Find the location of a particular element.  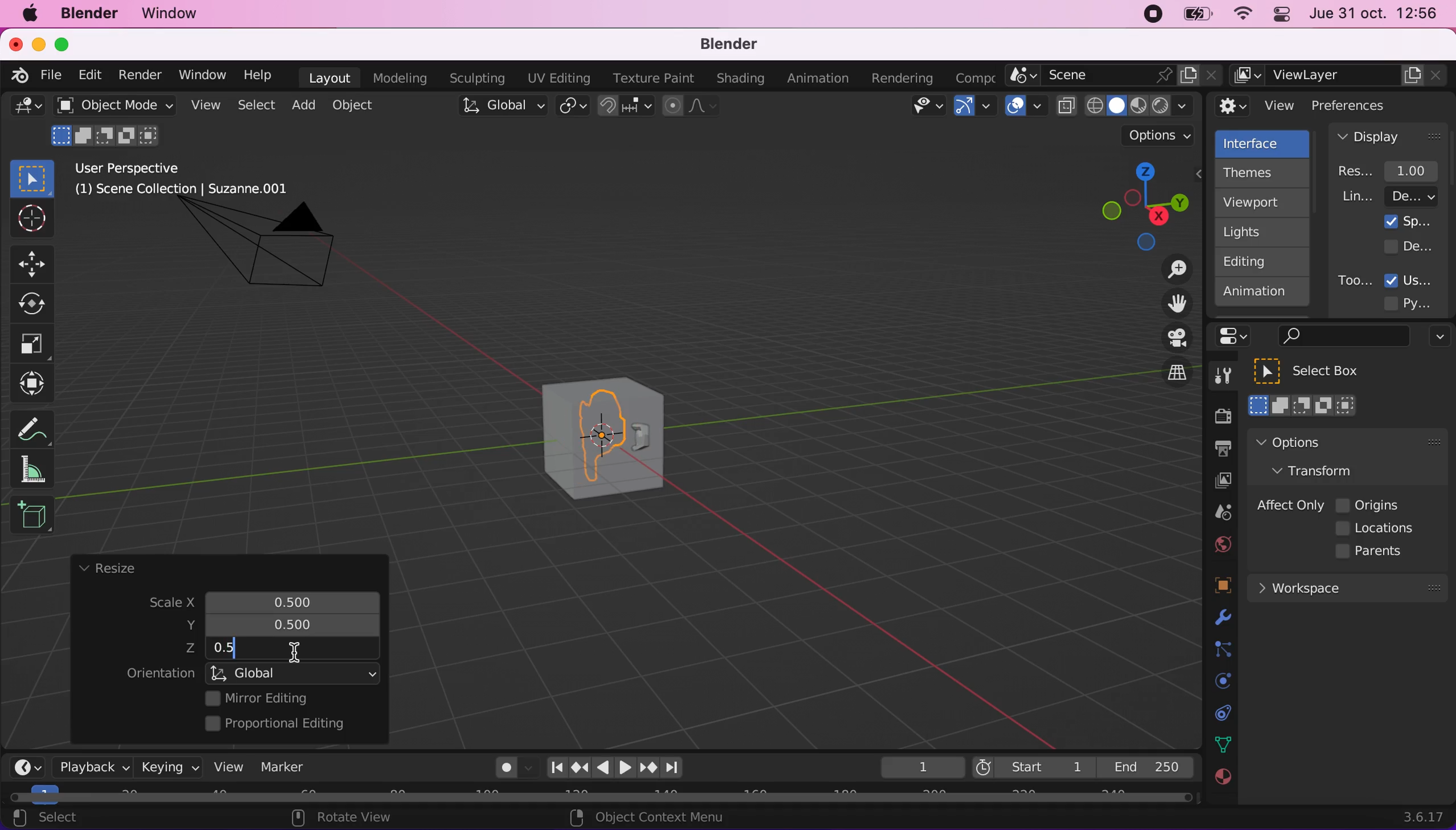

wifi is located at coordinates (1239, 17).